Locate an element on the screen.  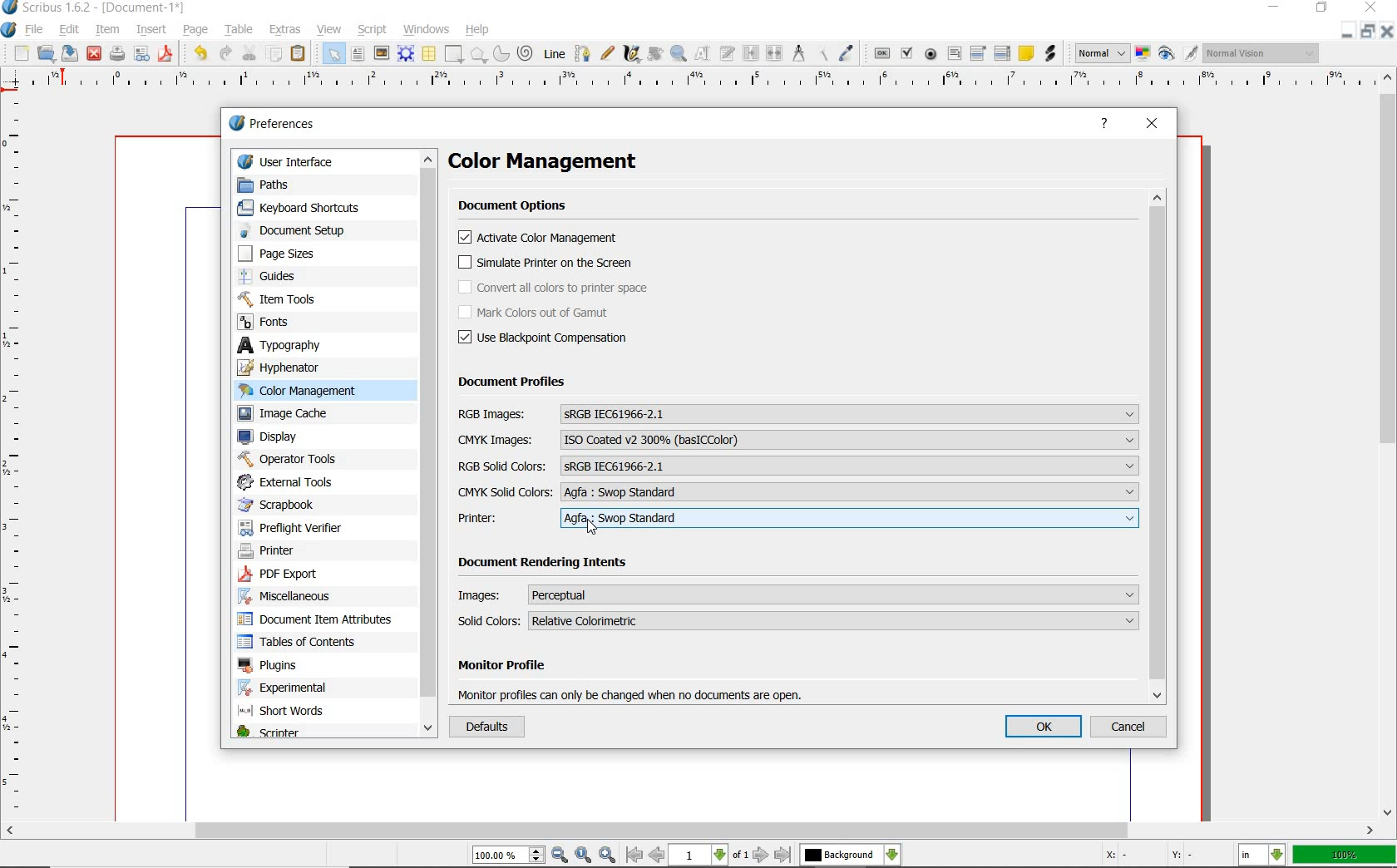
item tools is located at coordinates (297, 299).